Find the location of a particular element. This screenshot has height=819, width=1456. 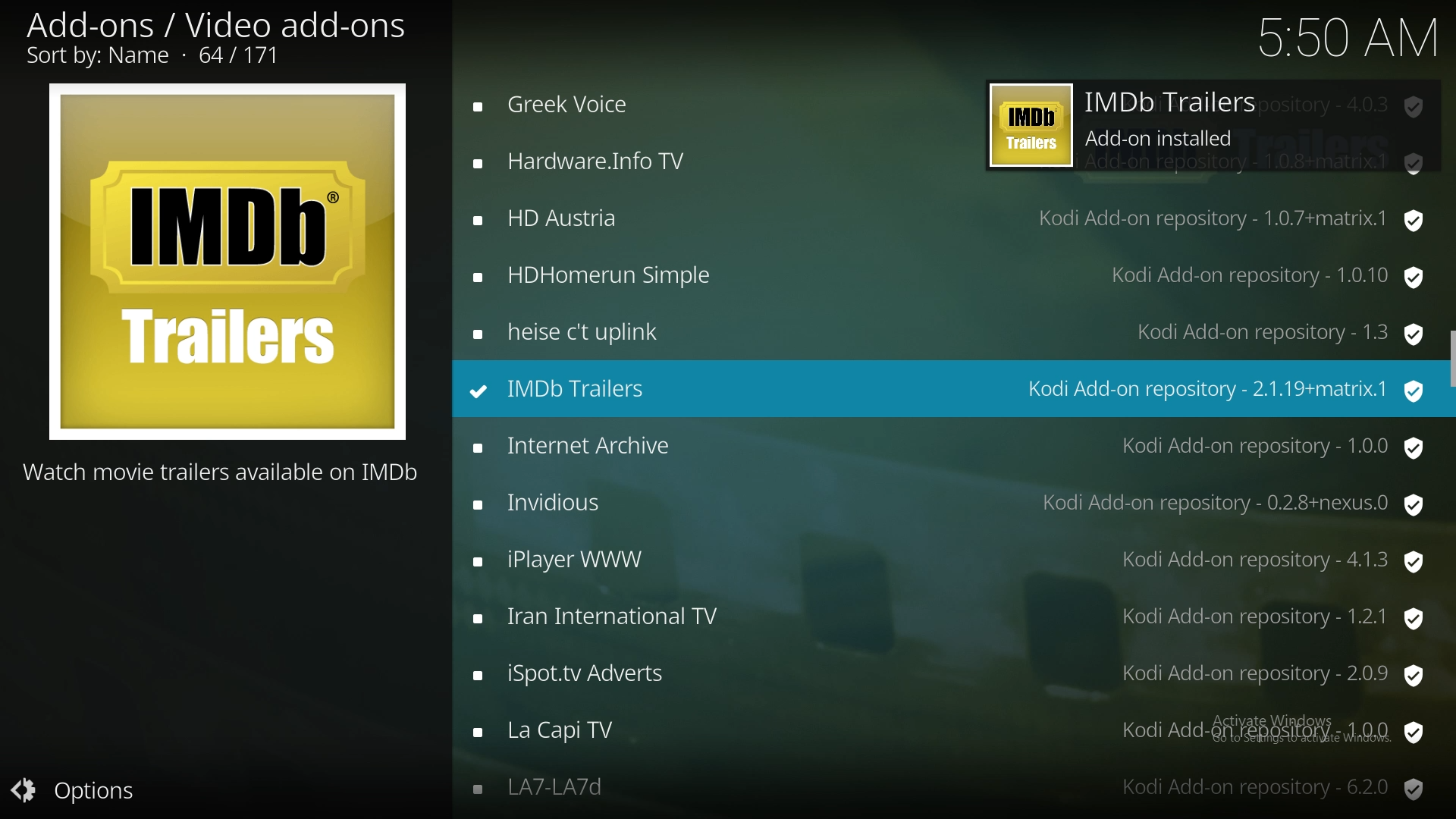

icon is located at coordinates (226, 263).